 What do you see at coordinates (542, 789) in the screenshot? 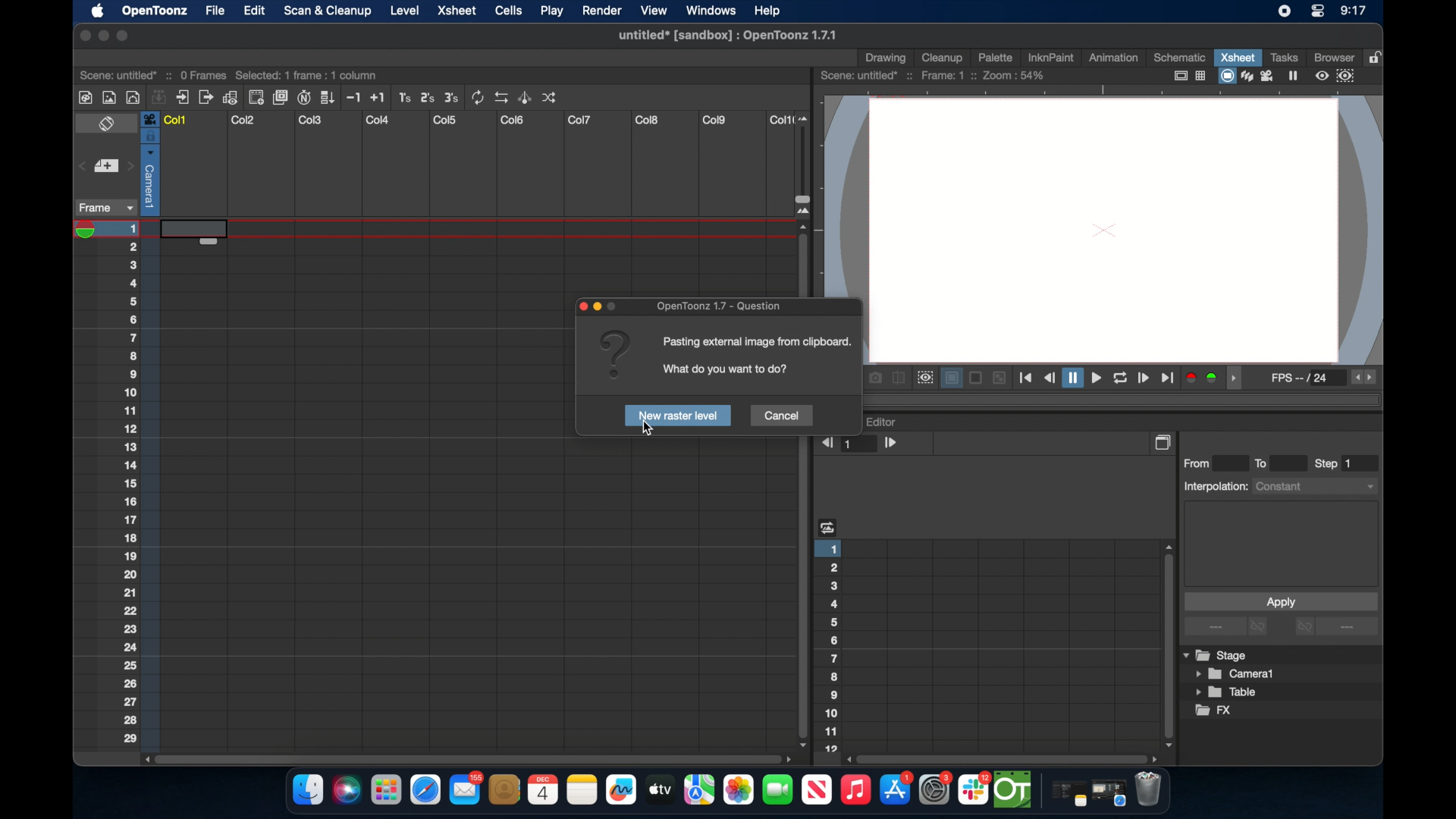
I see `calendar` at bounding box center [542, 789].